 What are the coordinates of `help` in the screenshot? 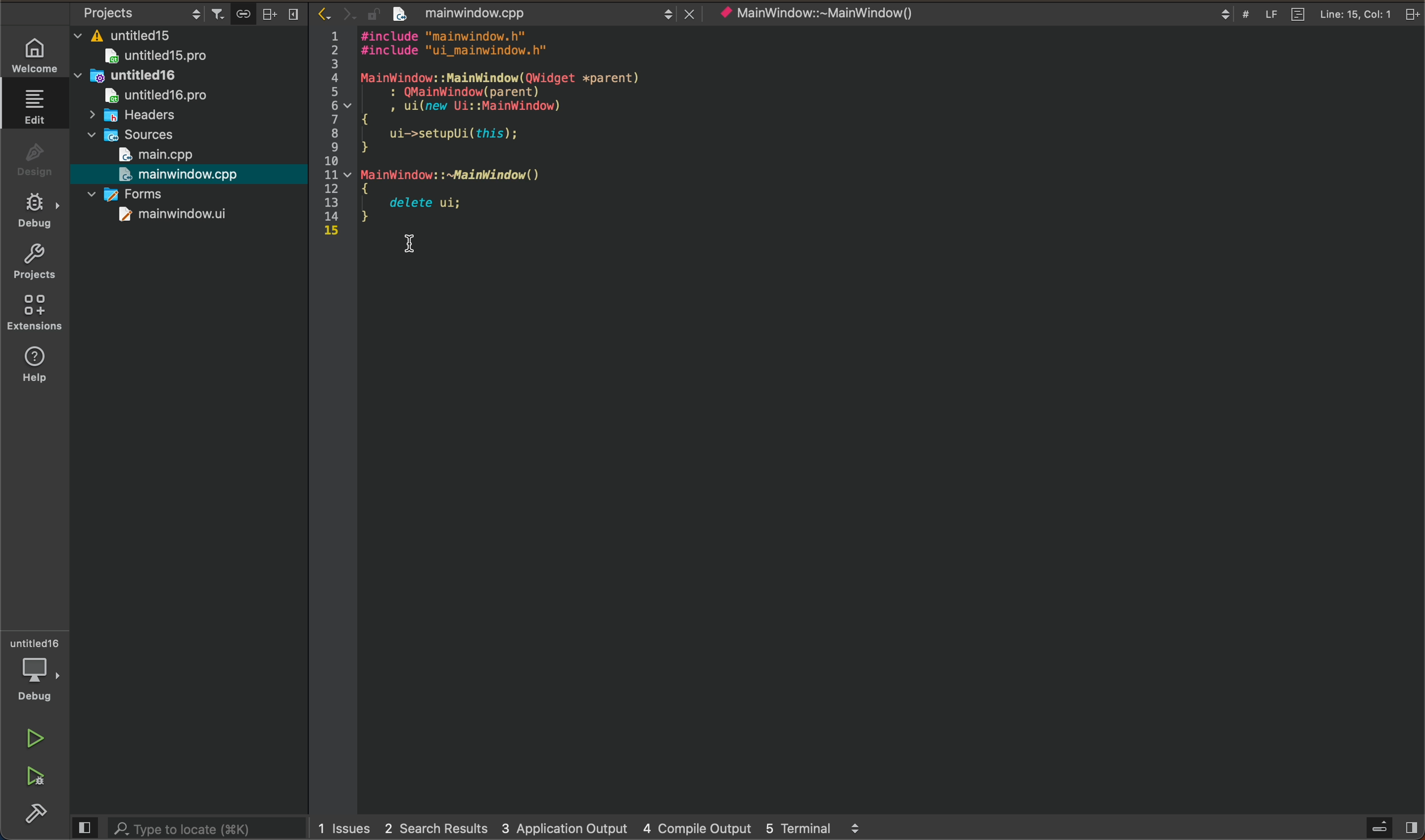 It's located at (37, 364).